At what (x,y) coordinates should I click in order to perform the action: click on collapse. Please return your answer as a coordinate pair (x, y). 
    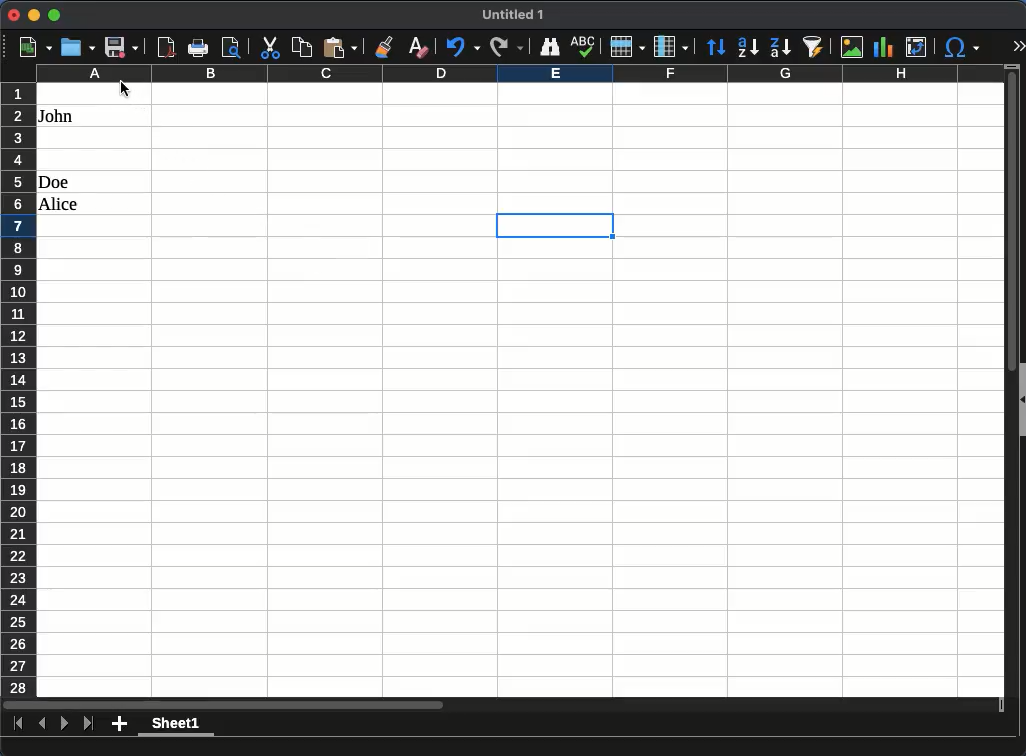
    Looking at the image, I should click on (1020, 400).